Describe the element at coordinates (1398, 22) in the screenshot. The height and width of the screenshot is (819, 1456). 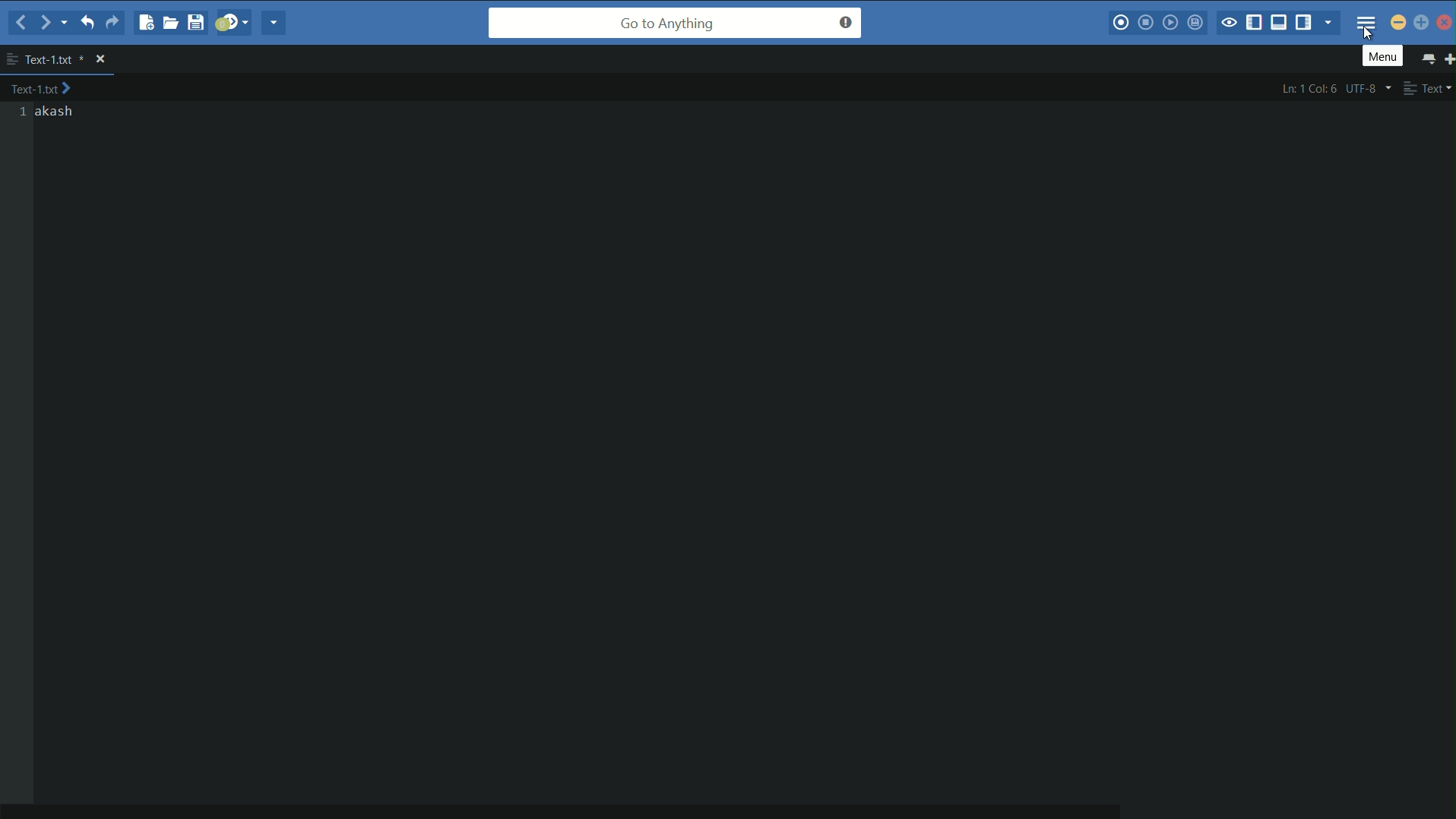
I see `minimize` at that location.